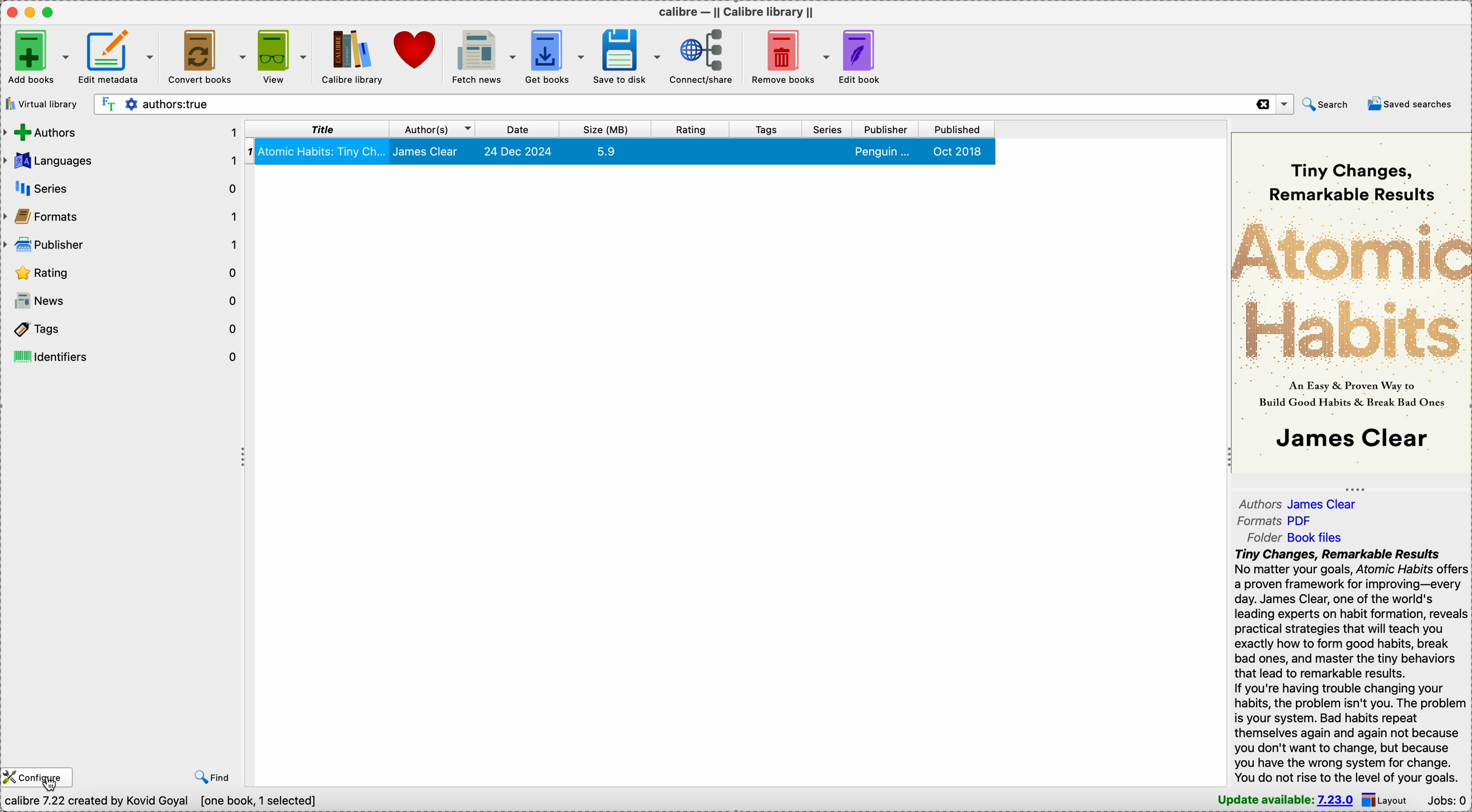  Describe the element at coordinates (122, 273) in the screenshot. I see `rating` at that location.